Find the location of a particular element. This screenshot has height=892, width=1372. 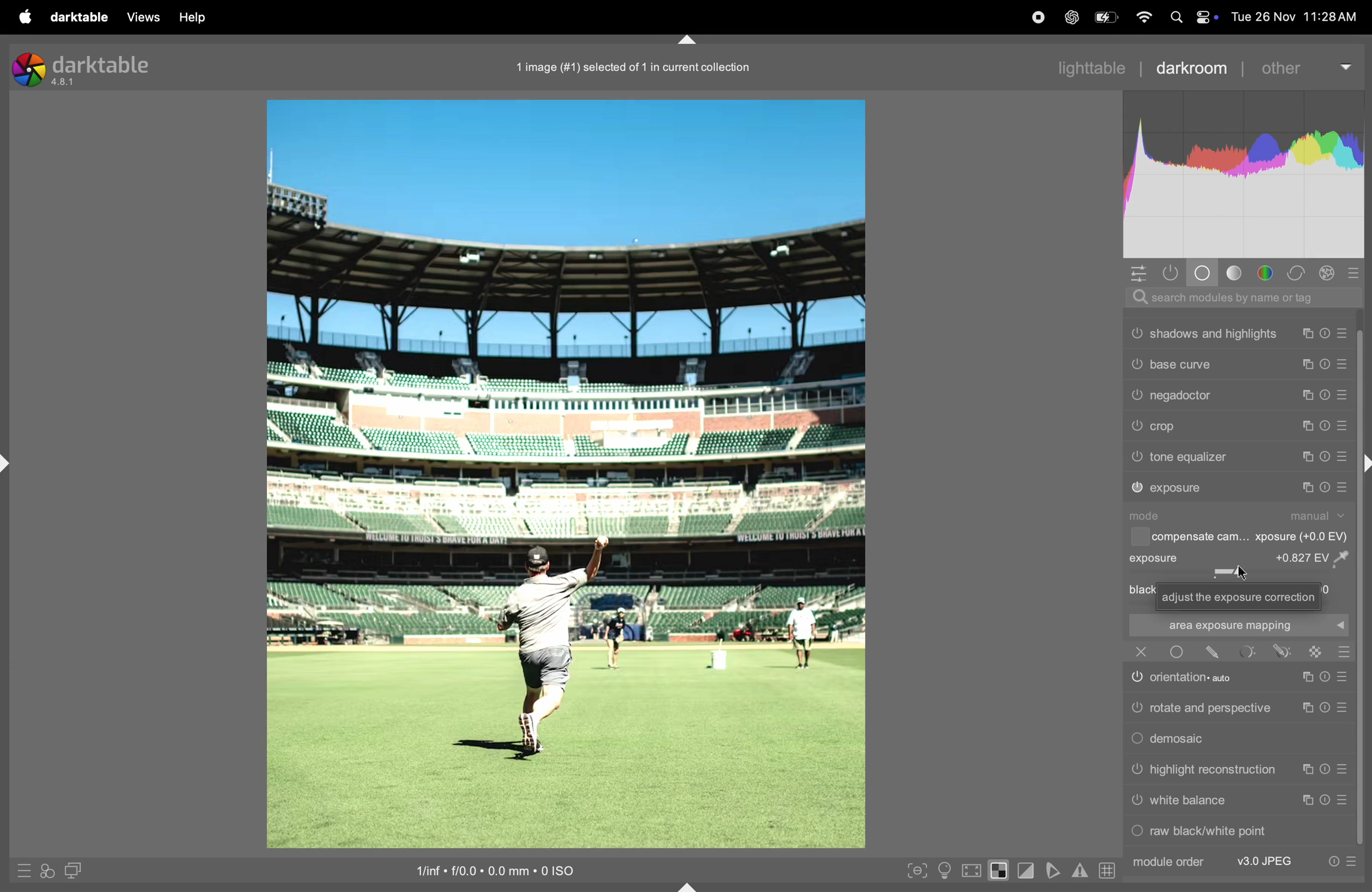

grid is located at coordinates (1105, 870).